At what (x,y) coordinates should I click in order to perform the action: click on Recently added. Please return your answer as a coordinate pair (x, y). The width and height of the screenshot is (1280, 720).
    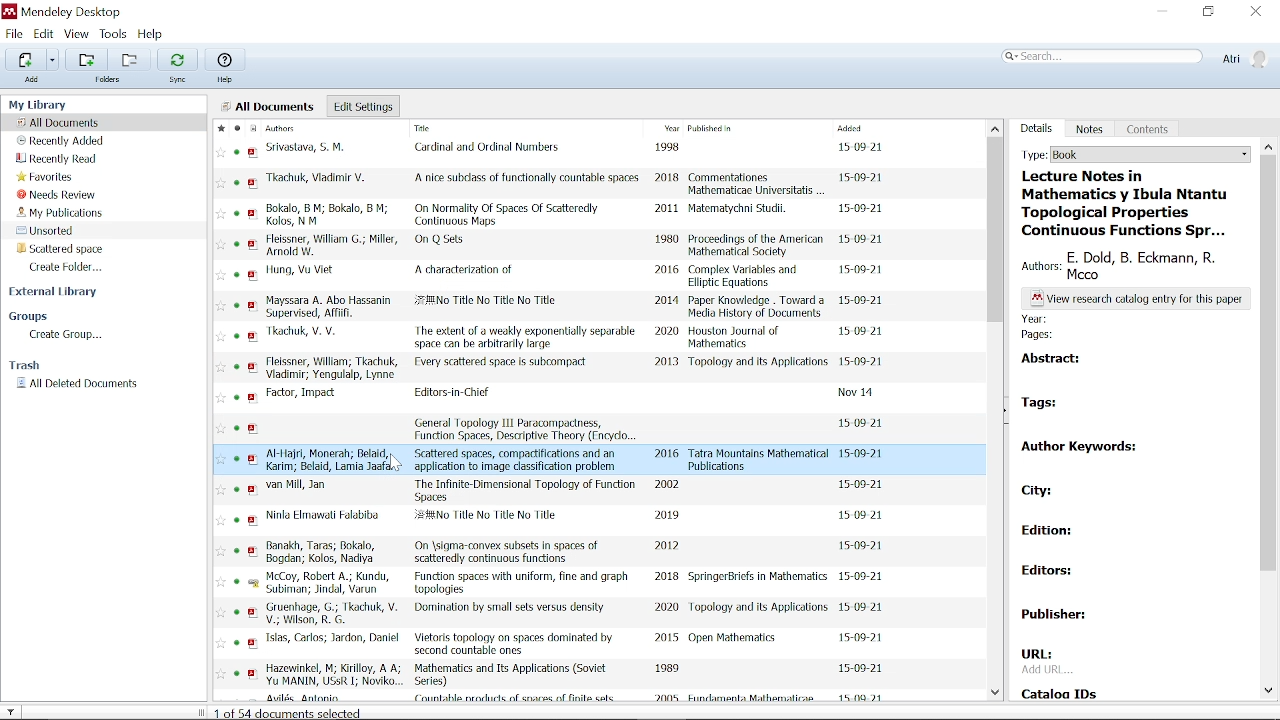
    Looking at the image, I should click on (63, 141).